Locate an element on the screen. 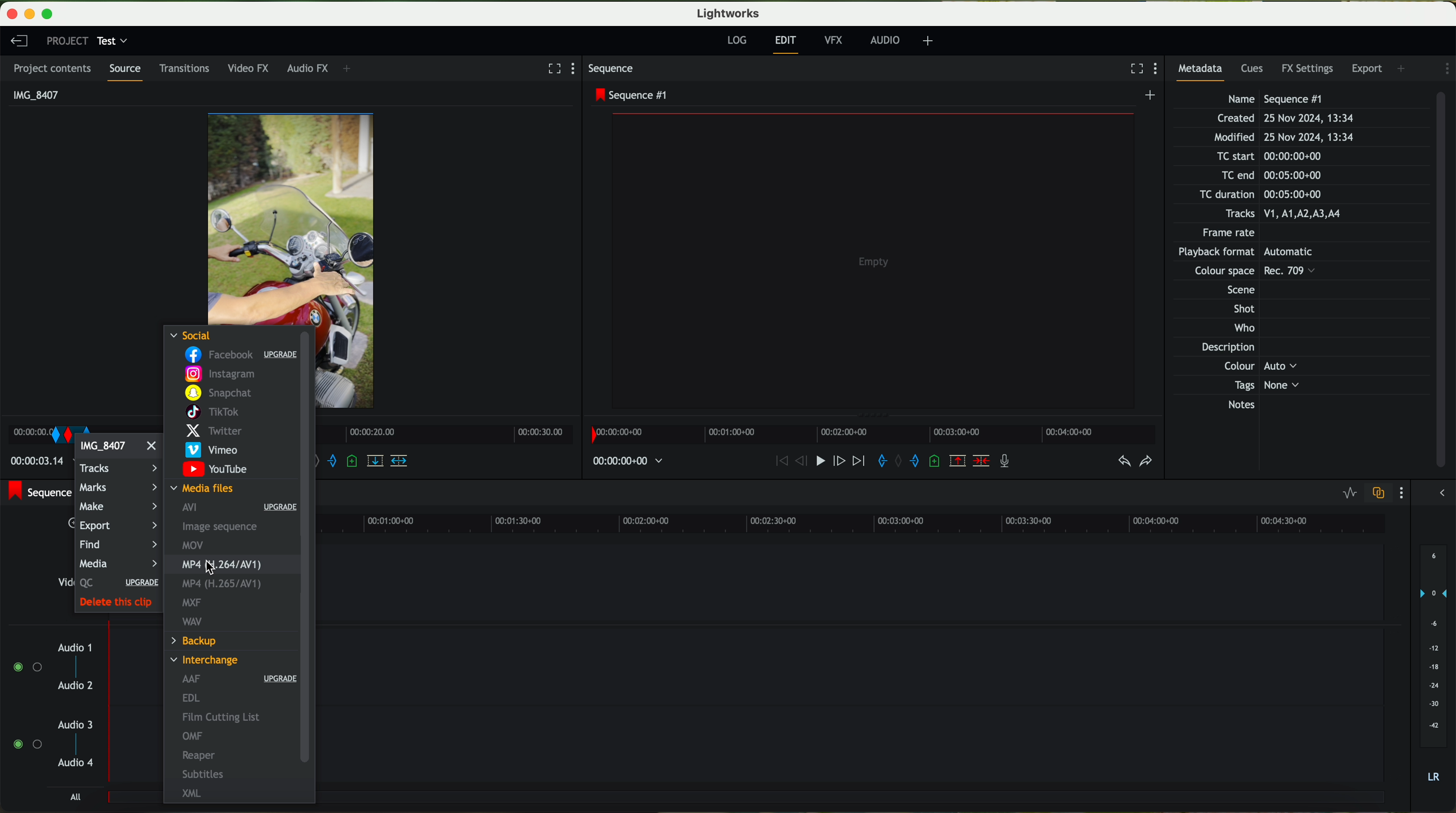 The width and height of the screenshot is (1456, 813). video is located at coordinates (293, 214).